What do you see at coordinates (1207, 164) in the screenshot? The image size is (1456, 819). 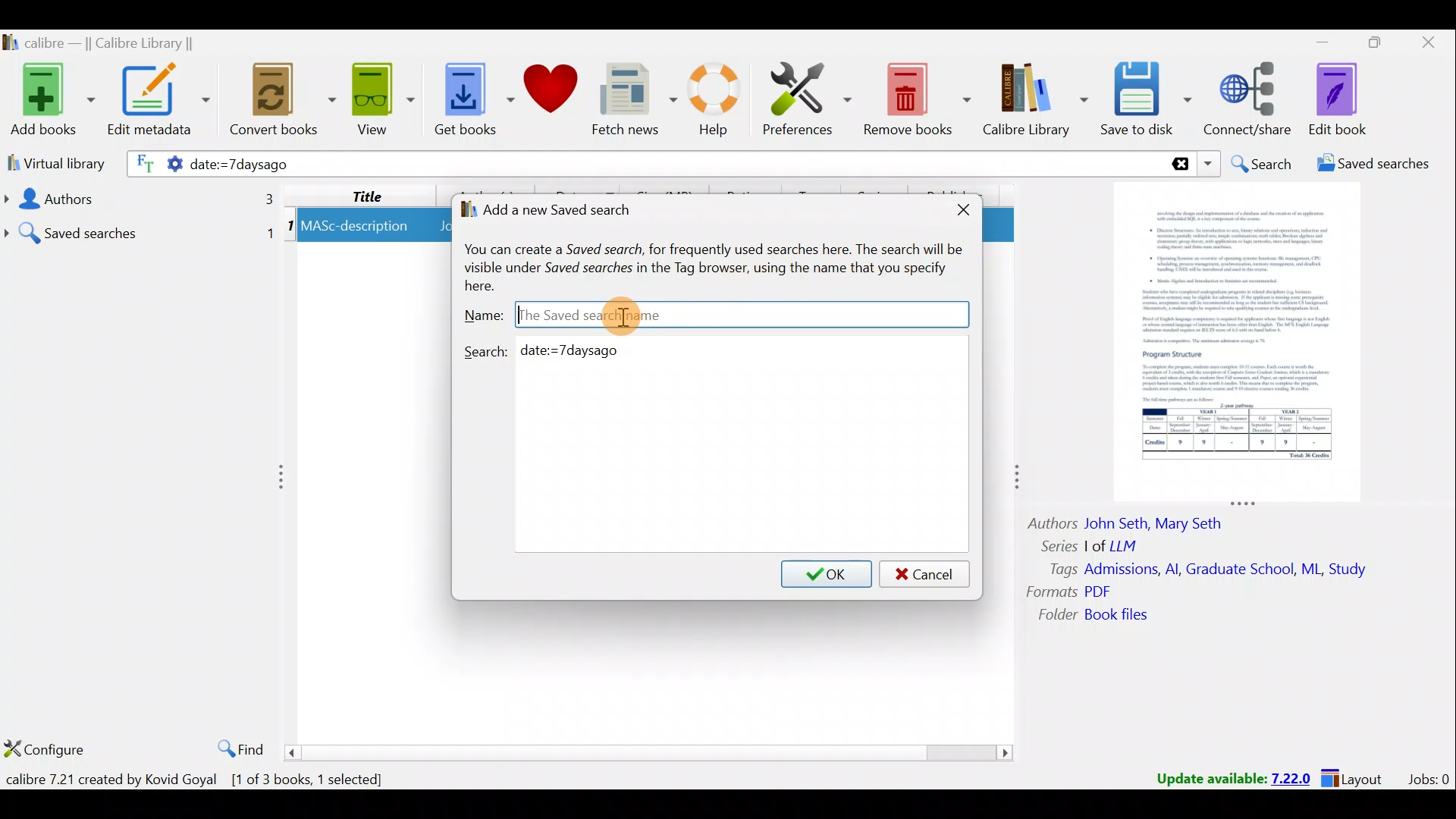 I see `Search dropdown` at bounding box center [1207, 164].